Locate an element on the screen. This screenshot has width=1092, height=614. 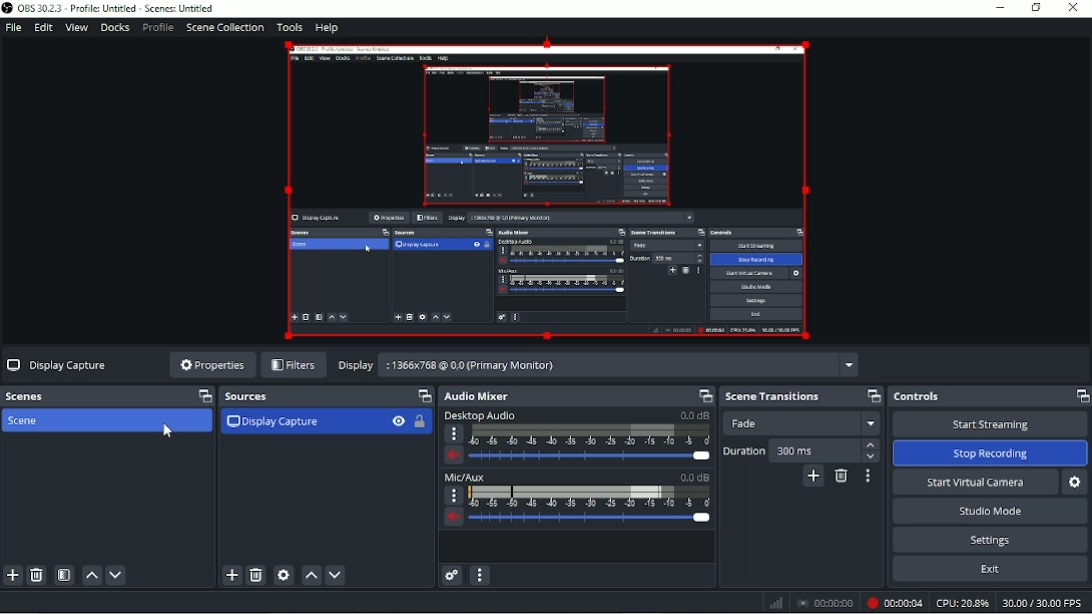
30.00/30.00 FPS is located at coordinates (1045, 604).